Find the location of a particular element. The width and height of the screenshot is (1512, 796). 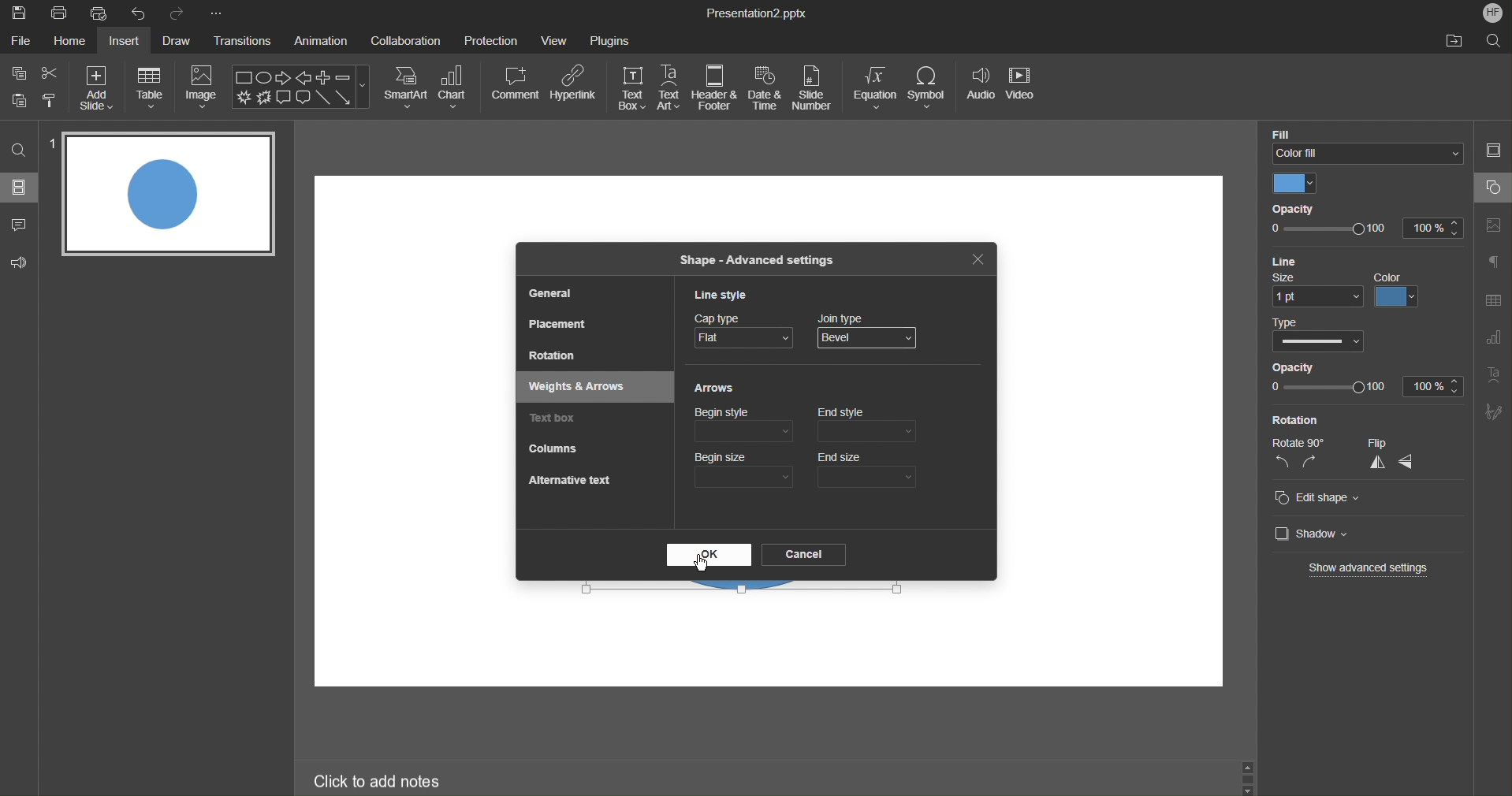

mouse pointer is located at coordinates (866, 344).